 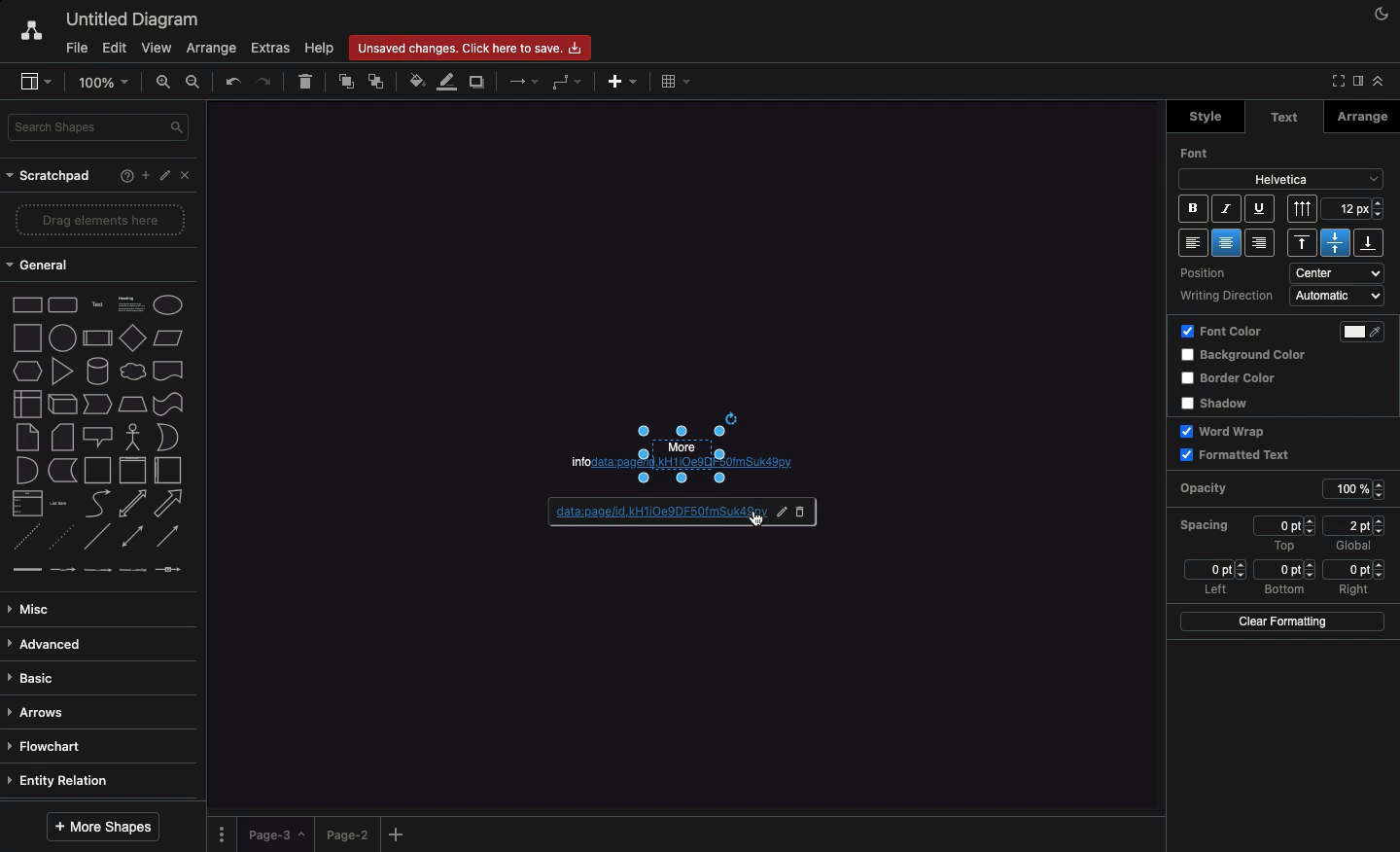 What do you see at coordinates (1203, 117) in the screenshot?
I see `Style` at bounding box center [1203, 117].